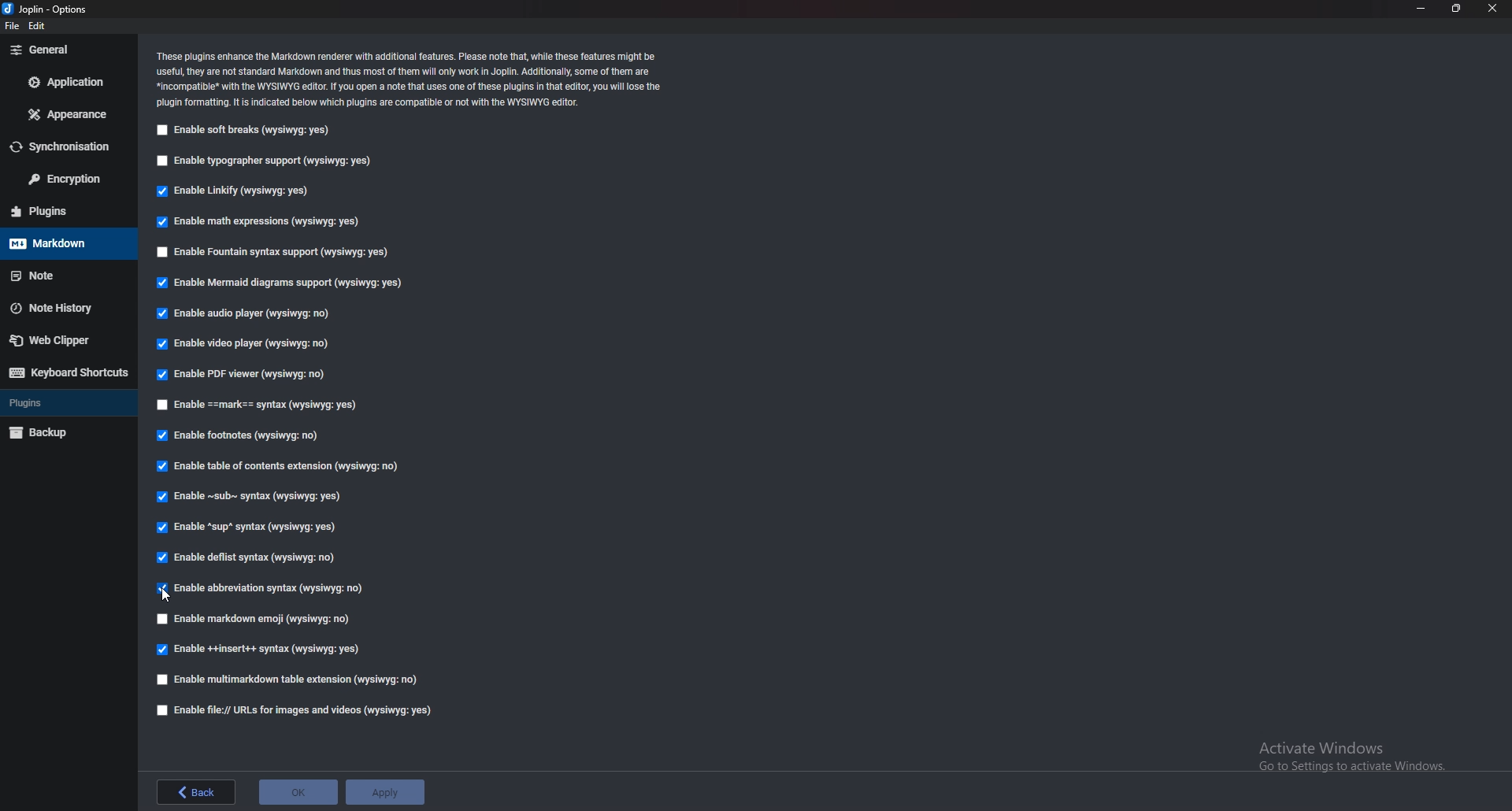 The image size is (1512, 811). Describe the element at coordinates (63, 402) in the screenshot. I see `Plugins` at that location.